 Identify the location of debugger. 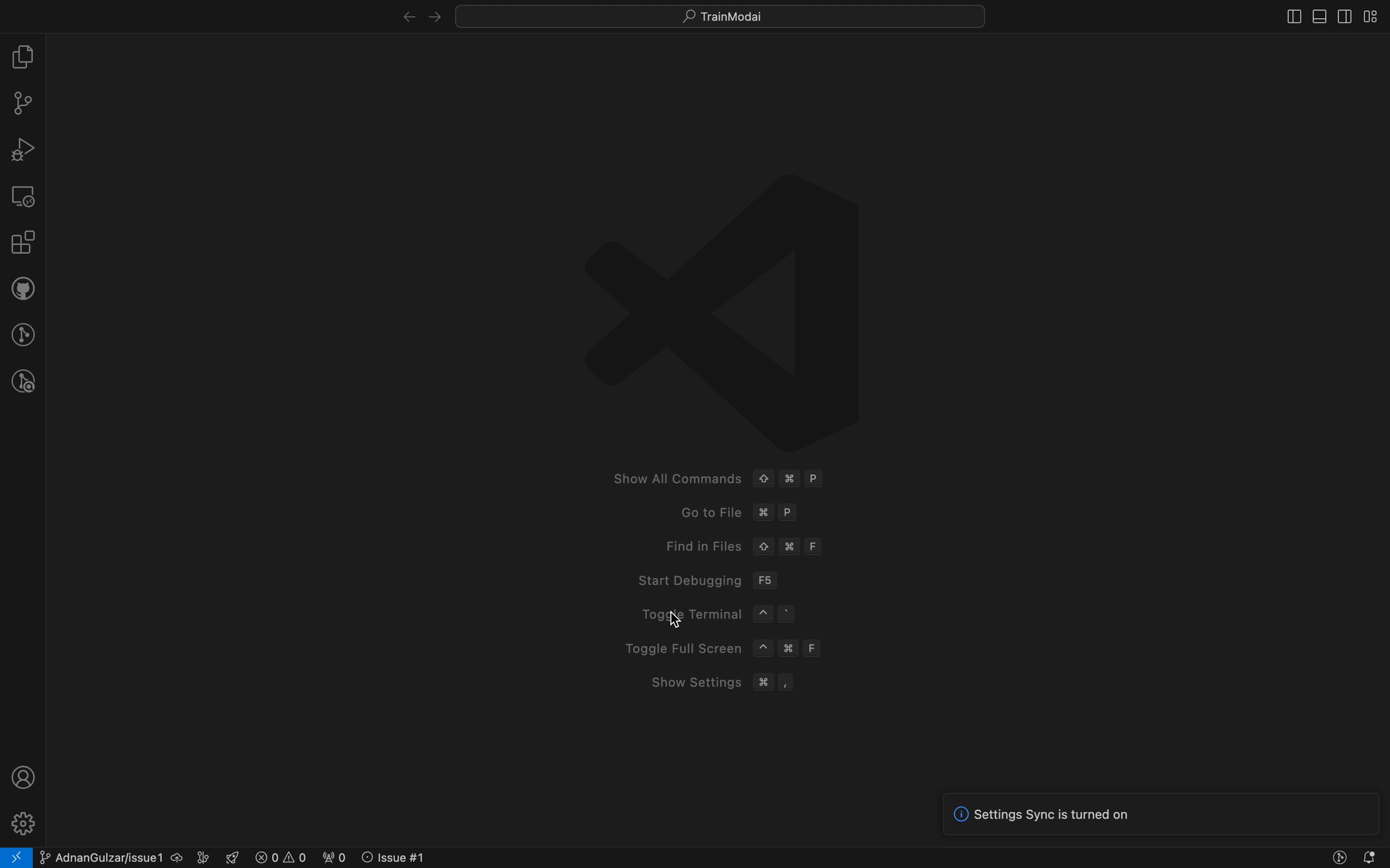
(23, 149).